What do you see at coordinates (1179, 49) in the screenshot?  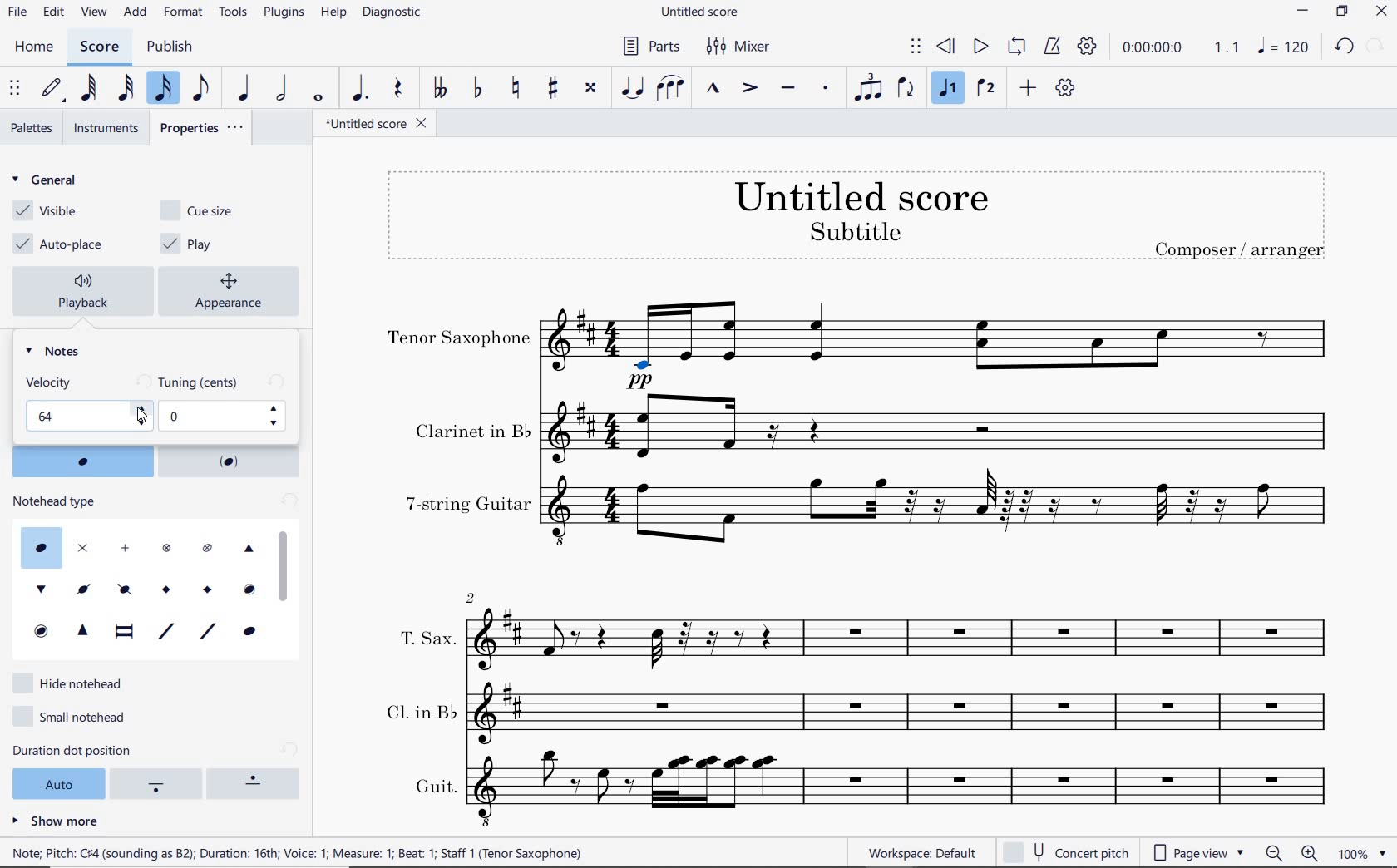 I see `PLAY TIME` at bounding box center [1179, 49].